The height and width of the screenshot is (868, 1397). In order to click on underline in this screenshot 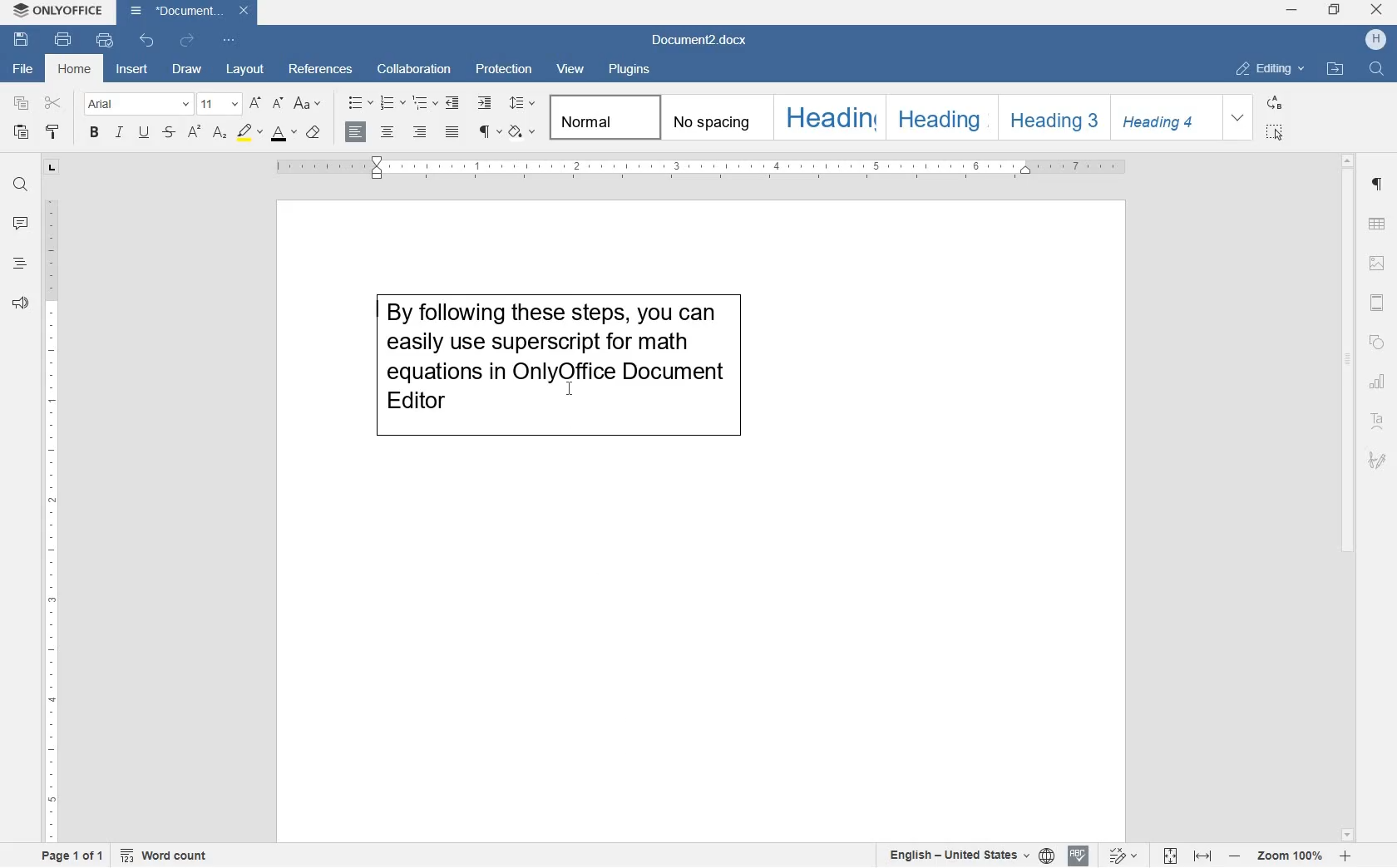, I will do `click(143, 131)`.